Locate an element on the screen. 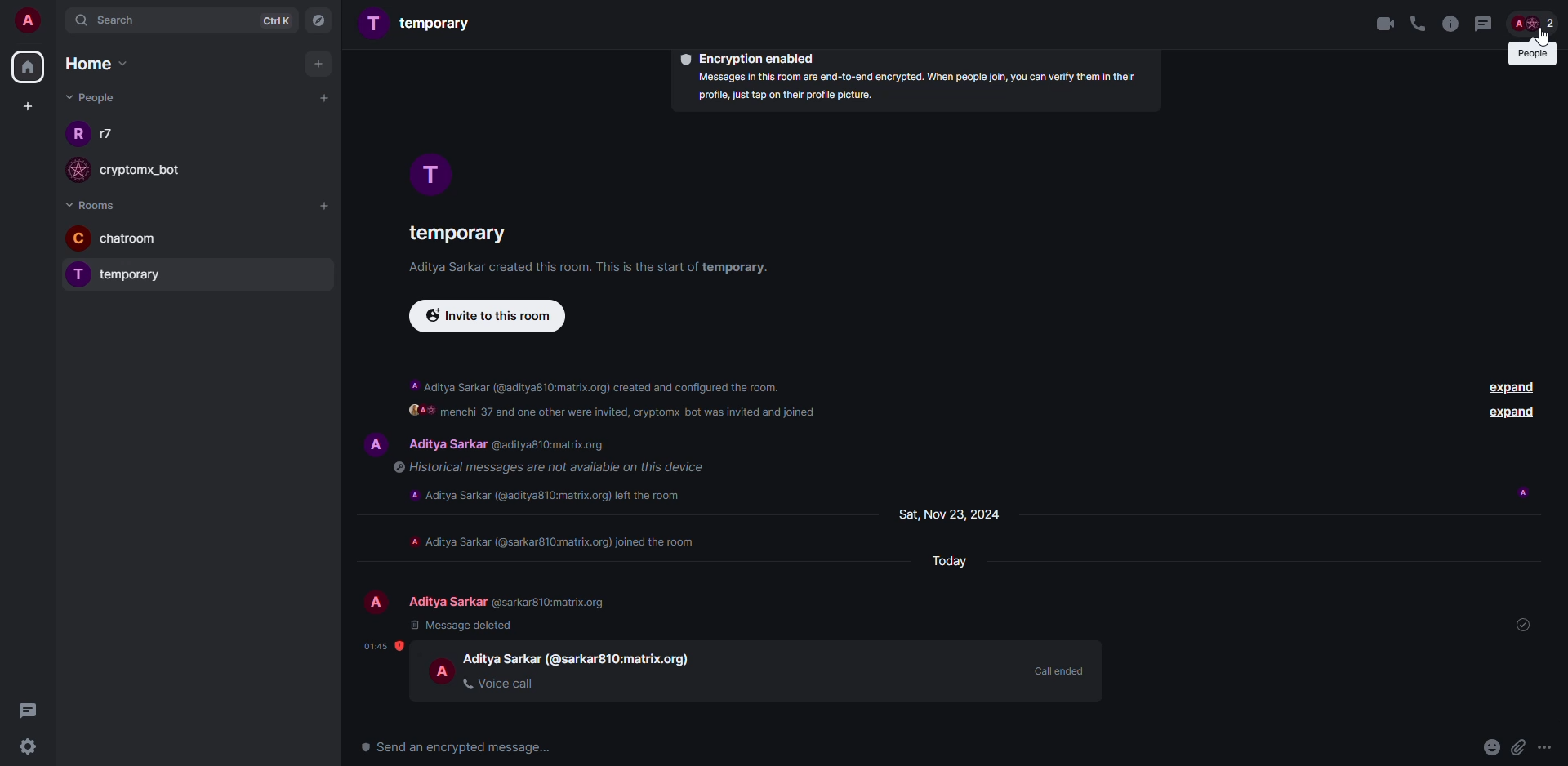  home is located at coordinates (95, 62).